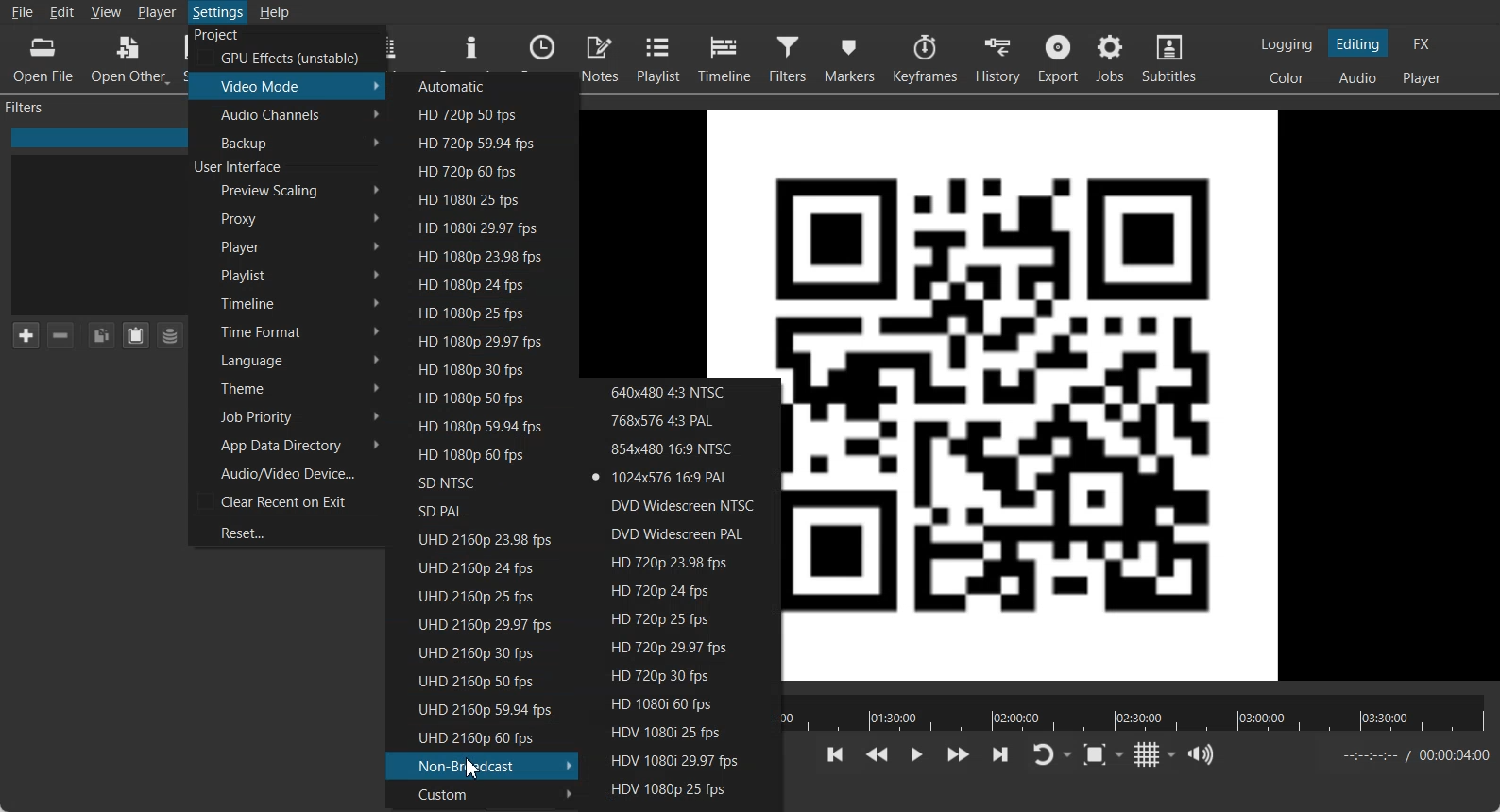 The width and height of the screenshot is (1500, 812). What do you see at coordinates (681, 504) in the screenshot?
I see `DVD Widescreen NTSC` at bounding box center [681, 504].